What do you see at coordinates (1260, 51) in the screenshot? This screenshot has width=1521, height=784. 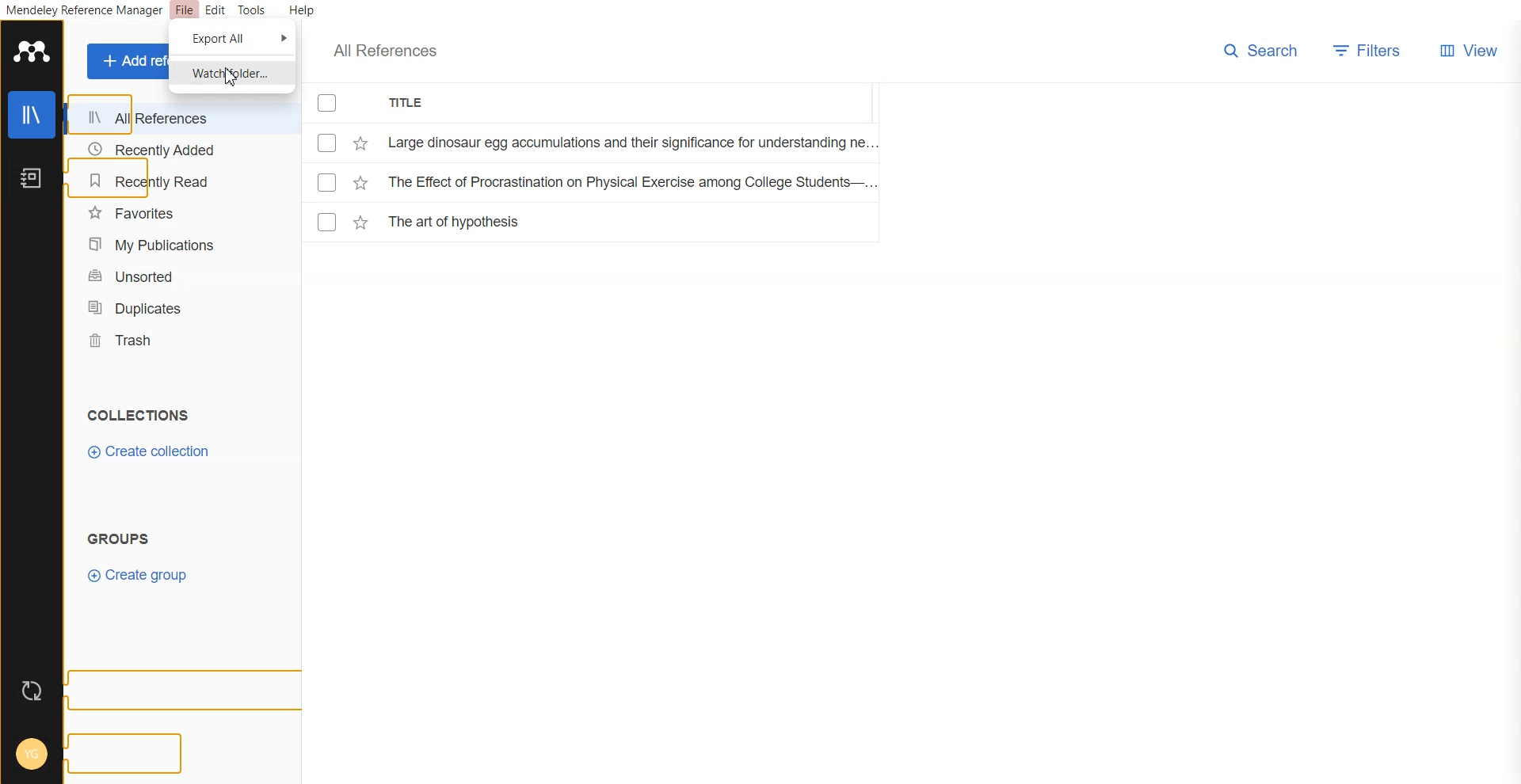 I see `Search` at bounding box center [1260, 51].